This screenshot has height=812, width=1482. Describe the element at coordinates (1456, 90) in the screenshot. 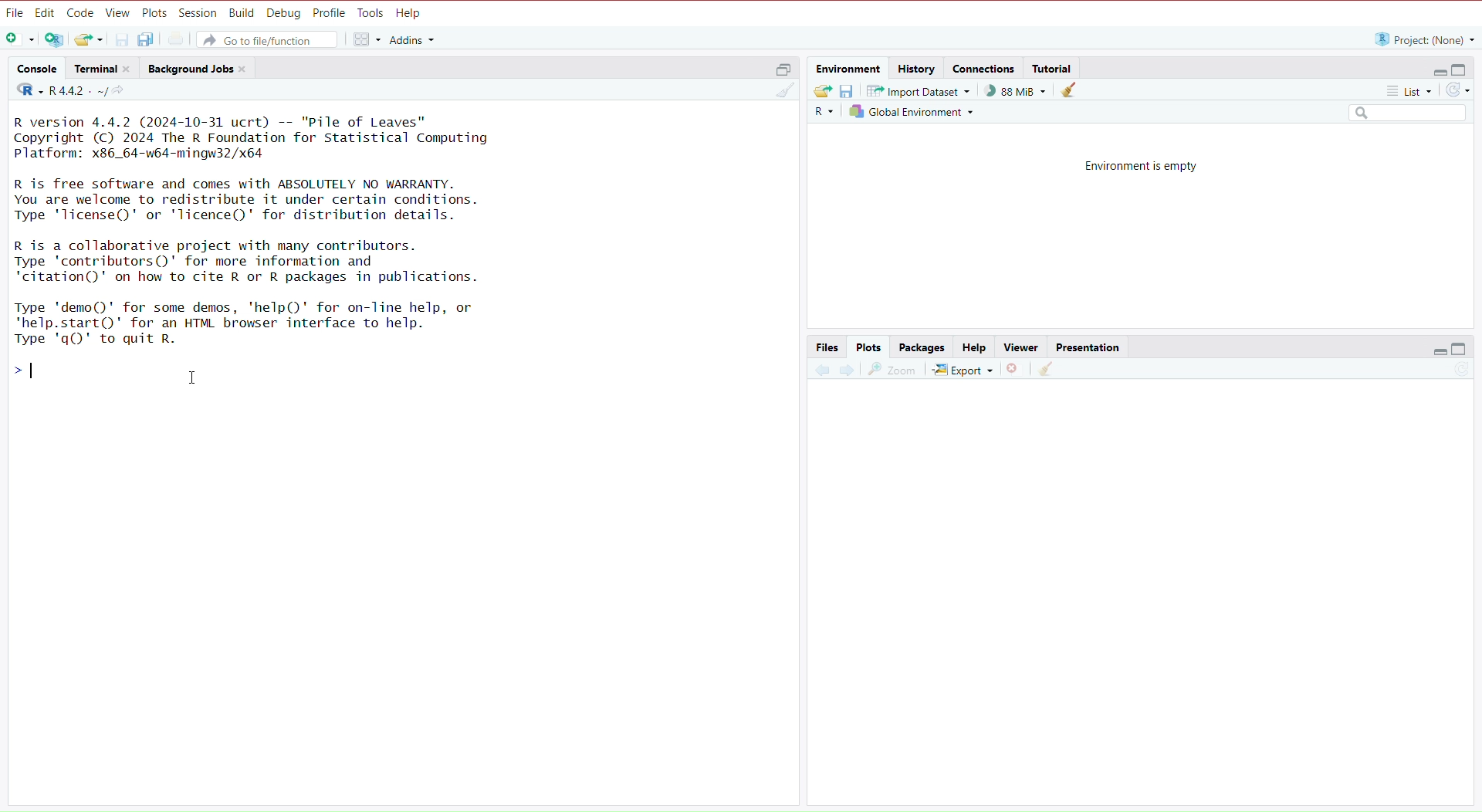

I see `Refresh list` at that location.